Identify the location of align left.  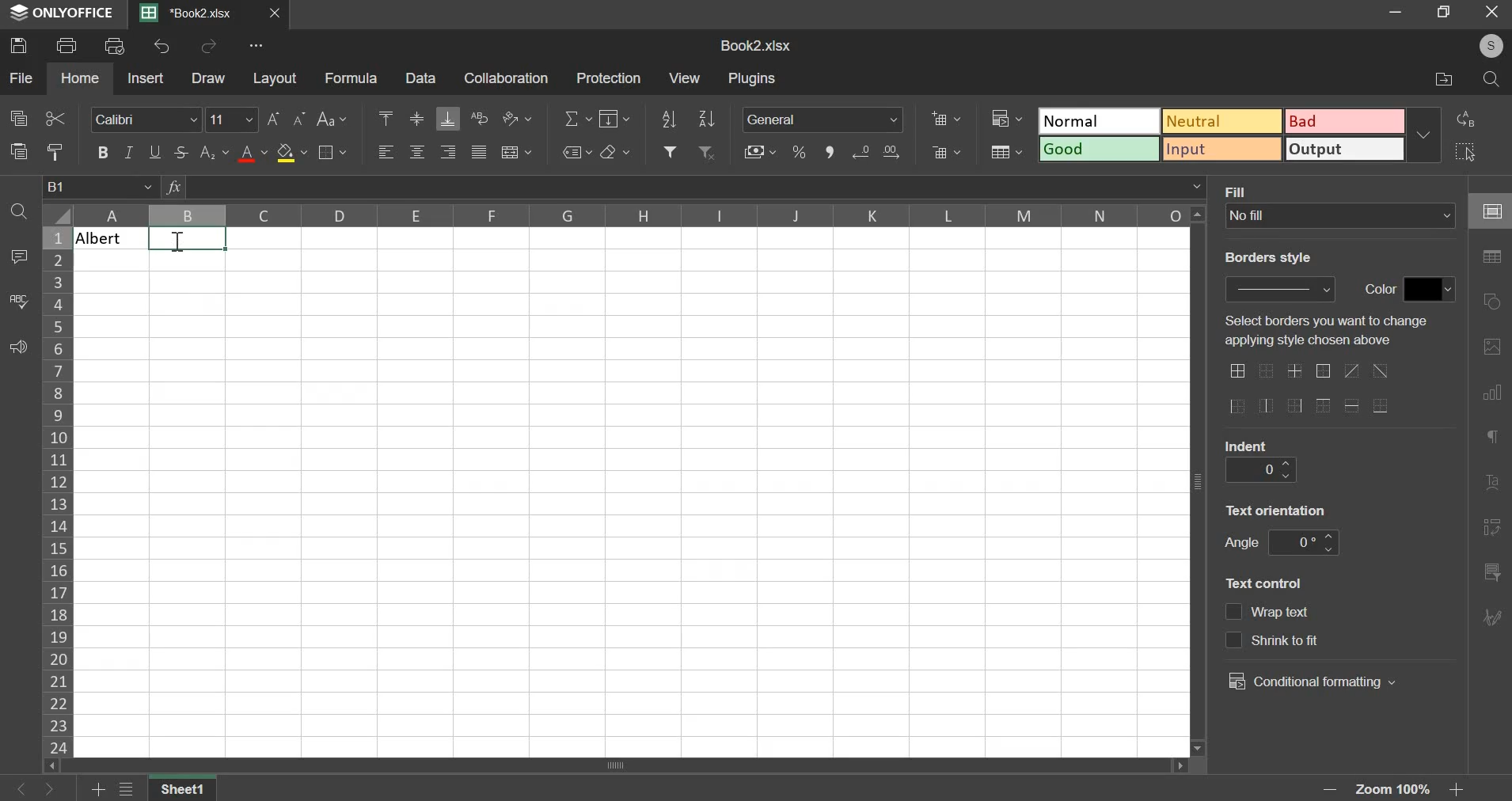
(389, 152).